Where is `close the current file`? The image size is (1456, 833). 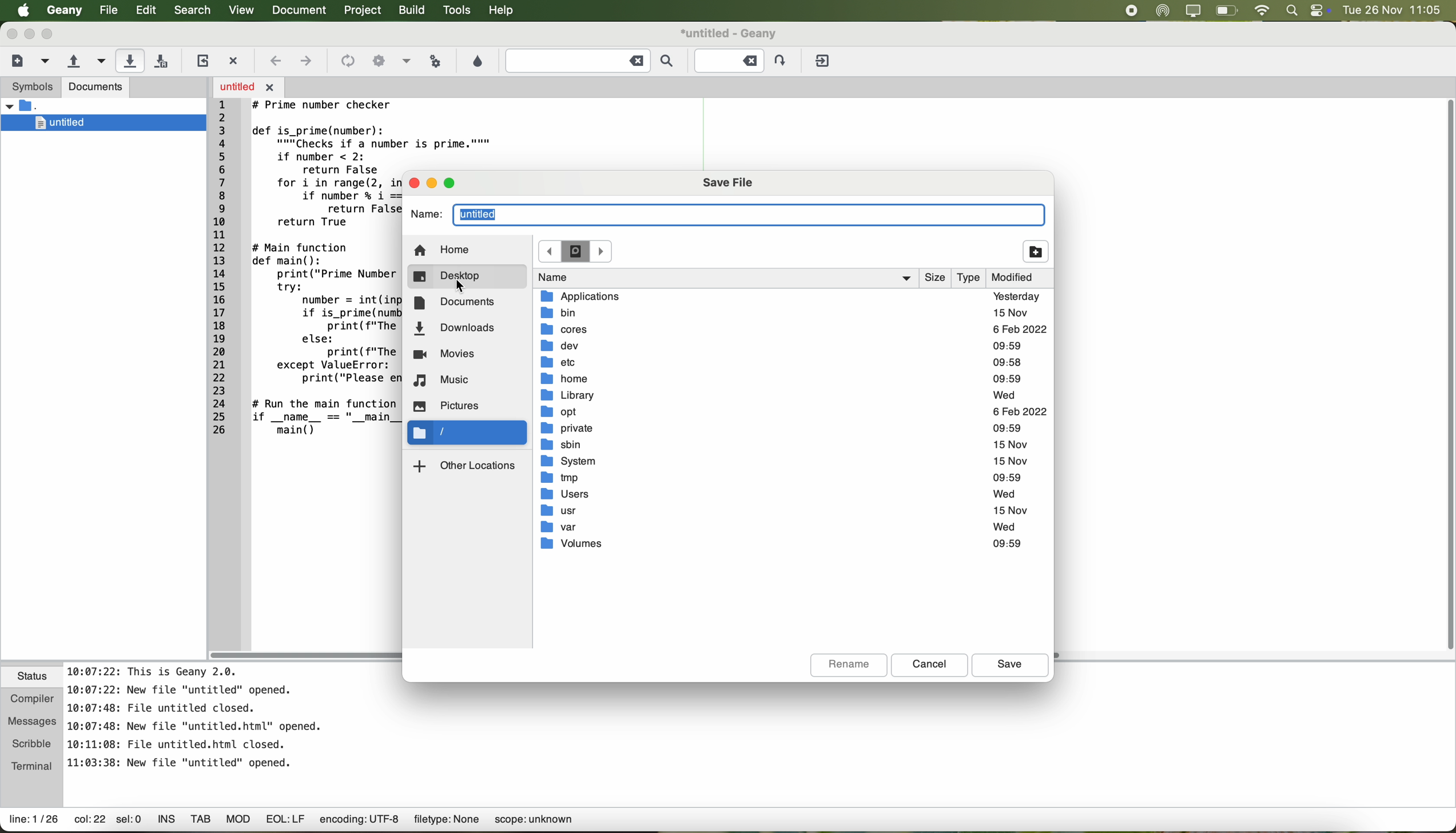
close the current file is located at coordinates (236, 58).